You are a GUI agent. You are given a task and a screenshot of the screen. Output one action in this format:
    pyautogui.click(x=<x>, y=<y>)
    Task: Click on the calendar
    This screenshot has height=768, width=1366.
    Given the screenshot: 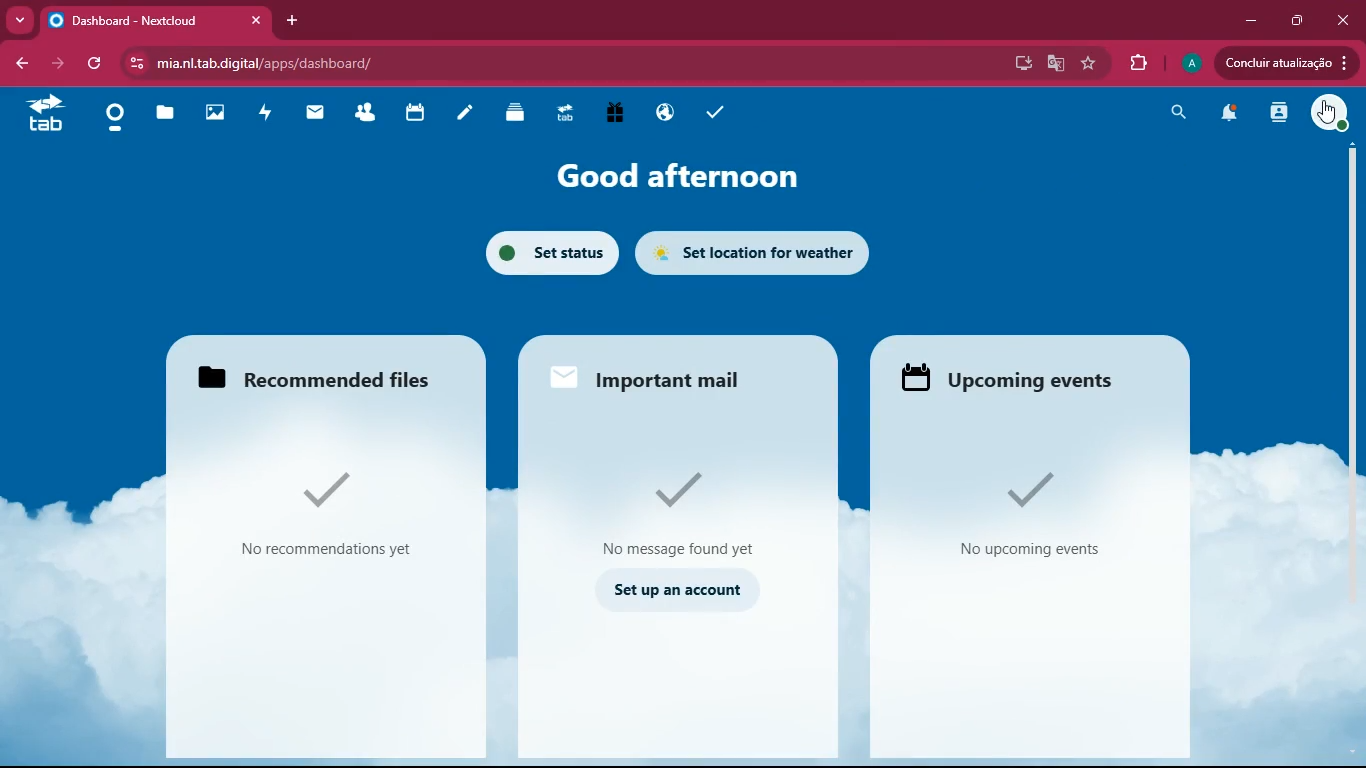 What is the action you would take?
    pyautogui.click(x=417, y=116)
    